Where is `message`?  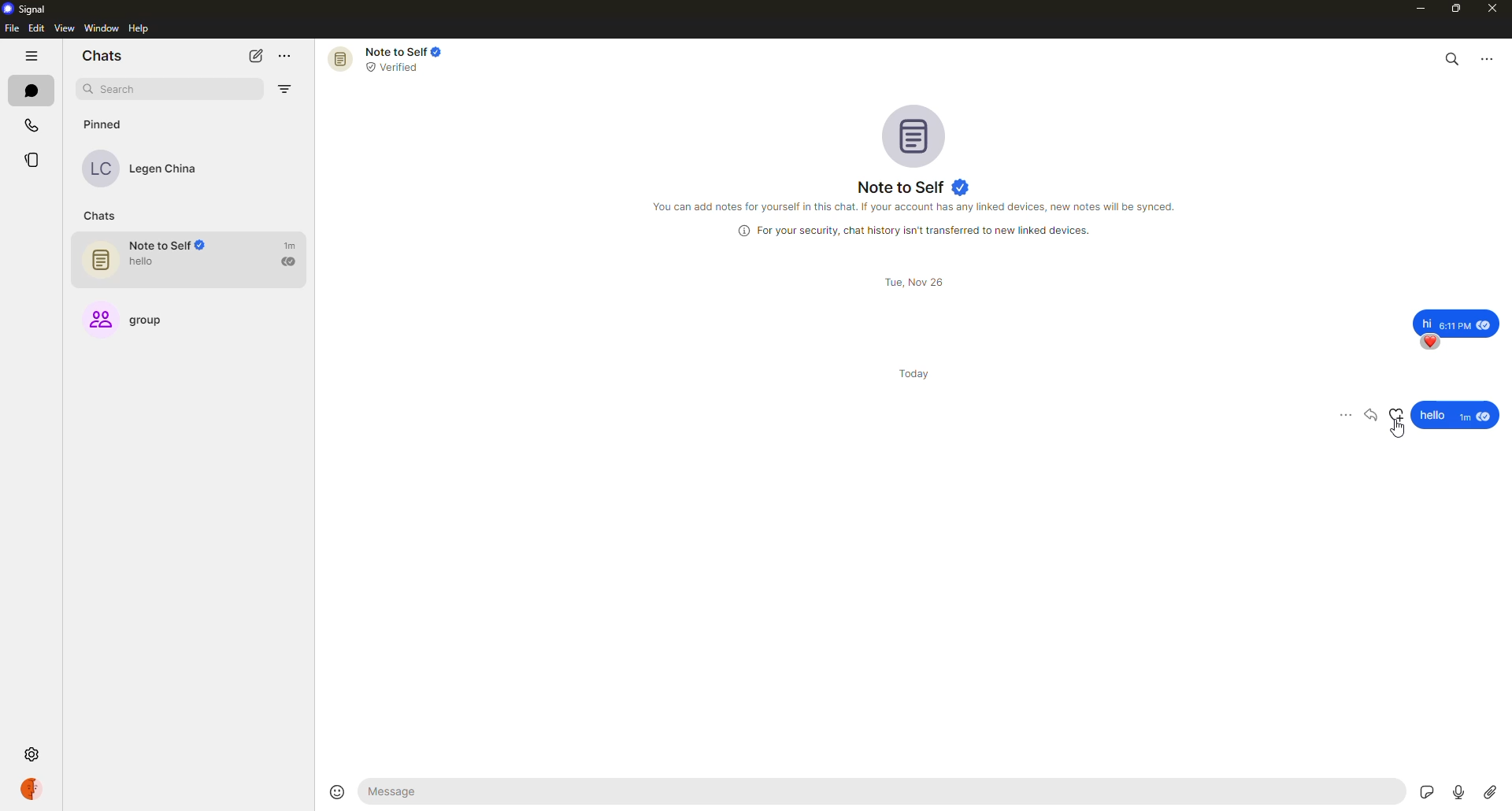 message is located at coordinates (1458, 320).